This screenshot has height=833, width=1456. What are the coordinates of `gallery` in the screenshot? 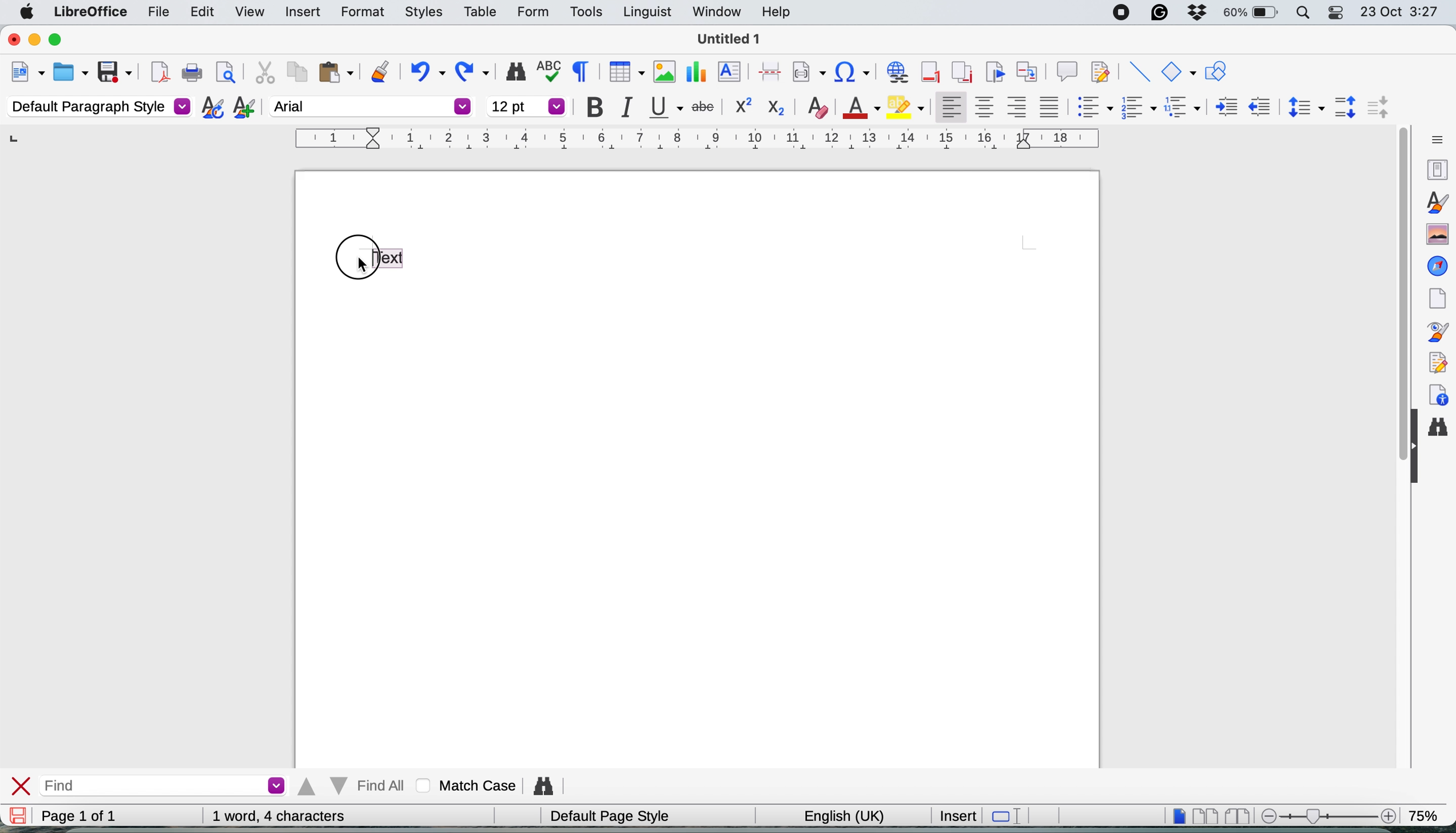 It's located at (1435, 234).